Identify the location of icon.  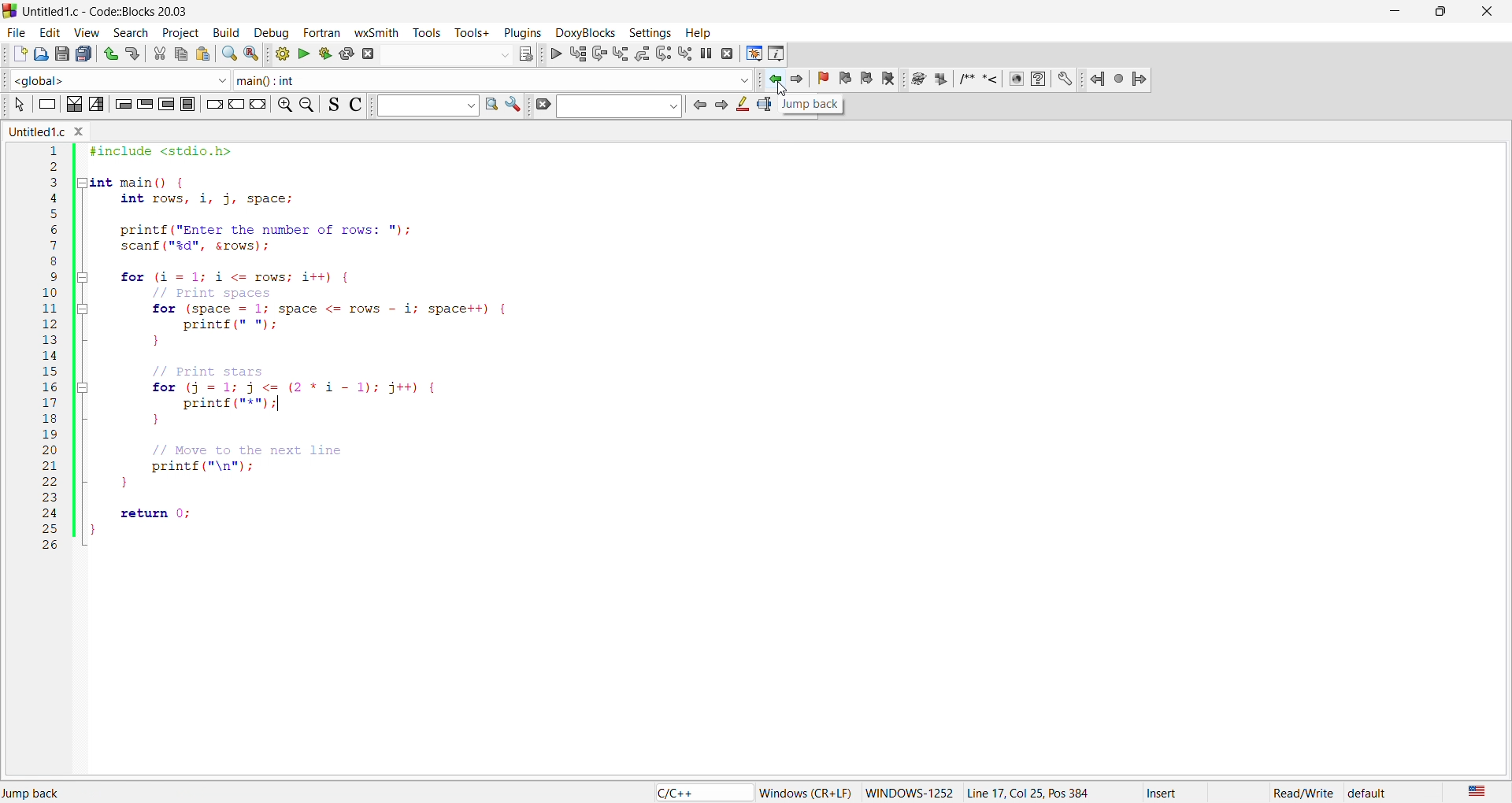
(210, 103).